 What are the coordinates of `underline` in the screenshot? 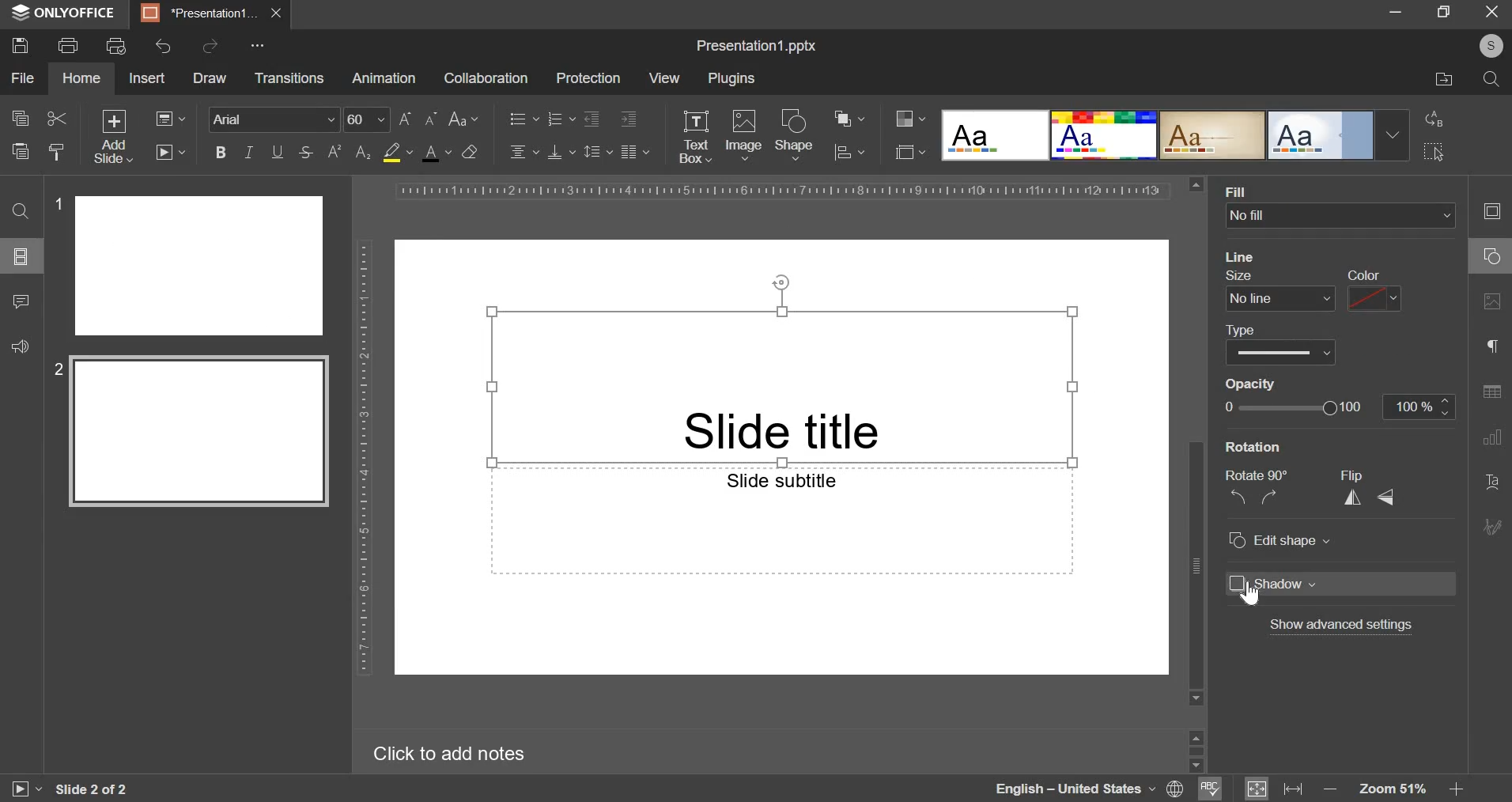 It's located at (277, 150).